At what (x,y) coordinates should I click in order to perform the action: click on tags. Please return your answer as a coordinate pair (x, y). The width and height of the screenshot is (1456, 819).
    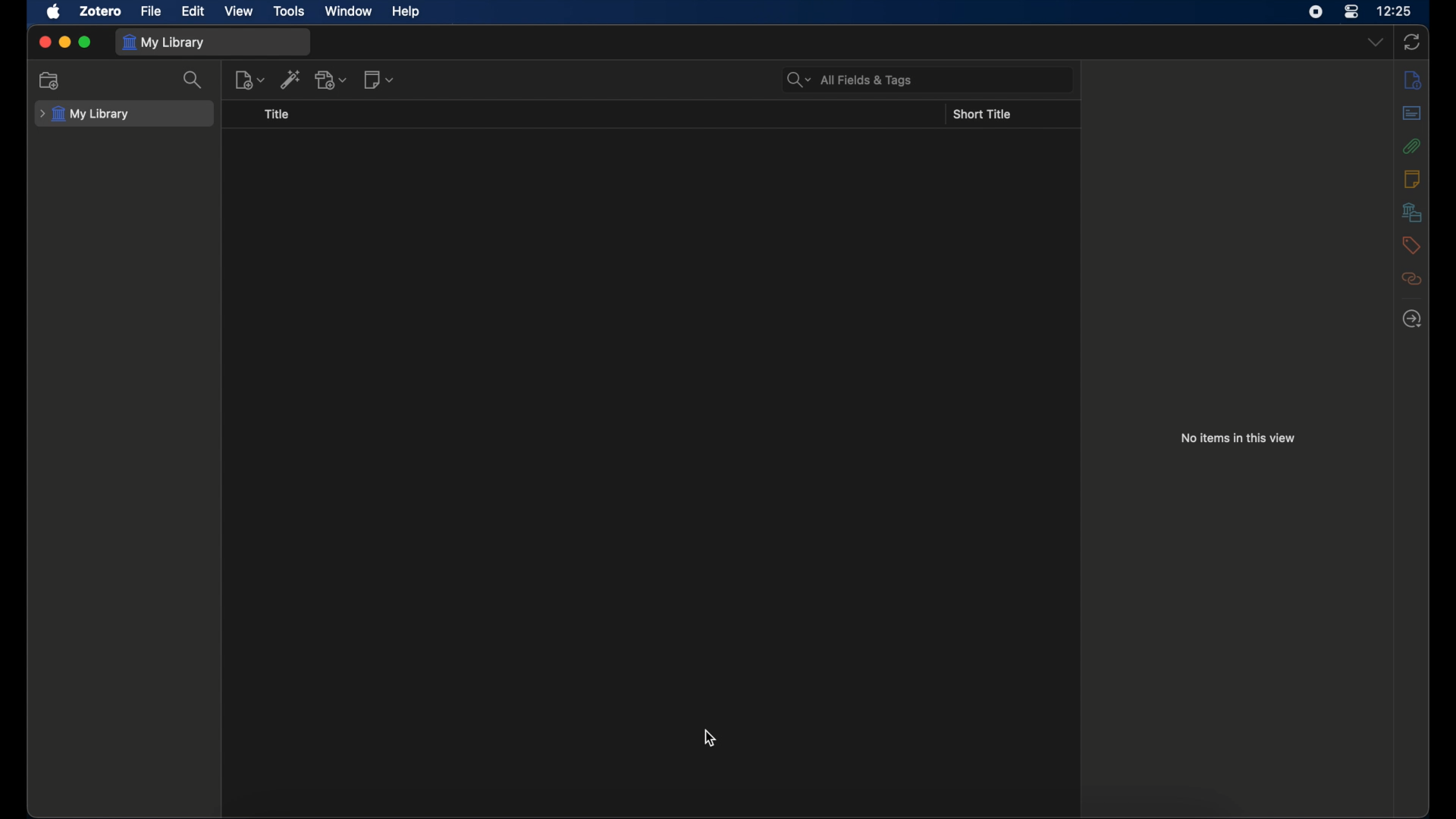
    Looking at the image, I should click on (1410, 245).